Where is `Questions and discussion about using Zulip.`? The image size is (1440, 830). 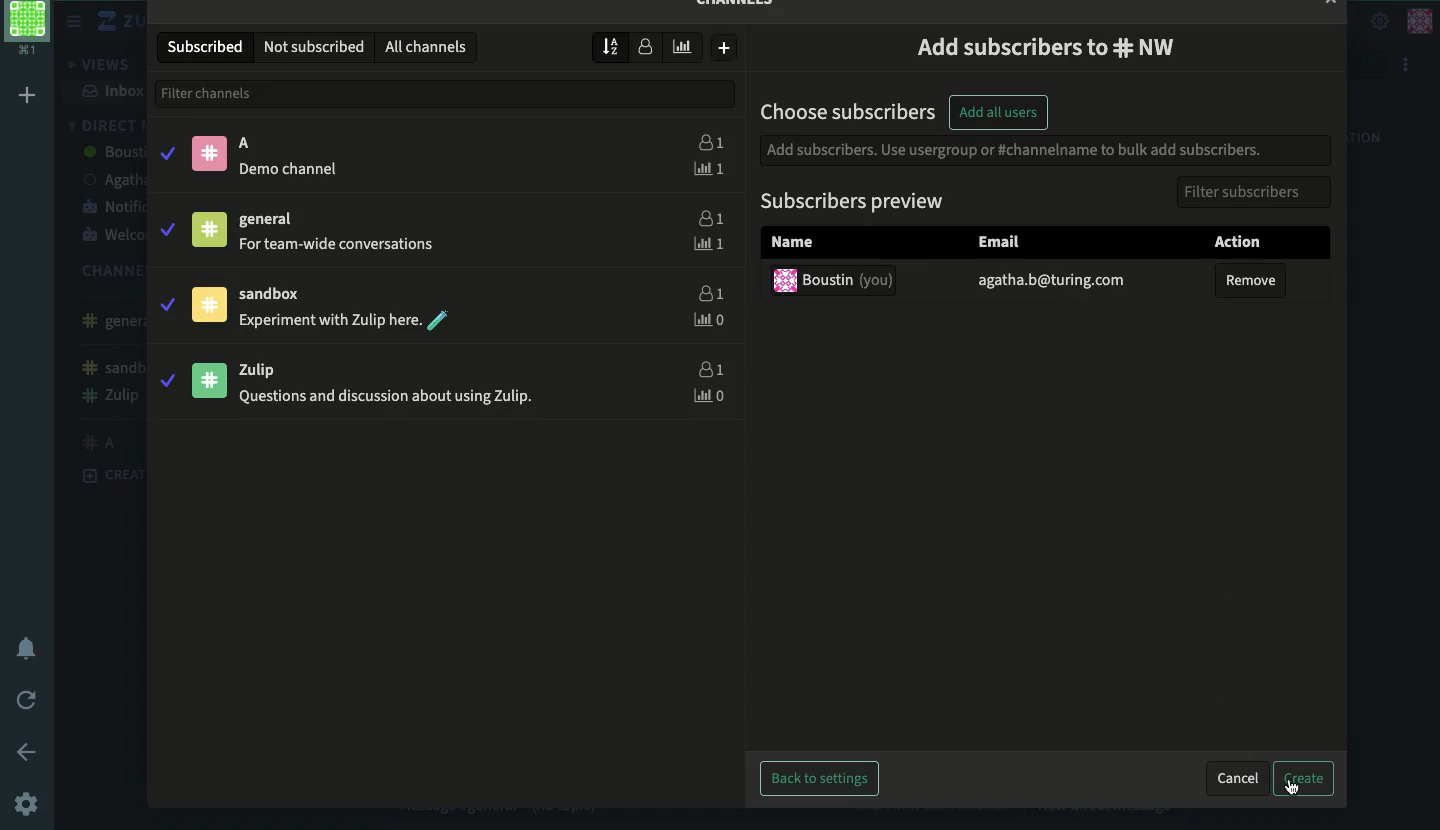 Questions and discussion about using Zulip. is located at coordinates (390, 397).